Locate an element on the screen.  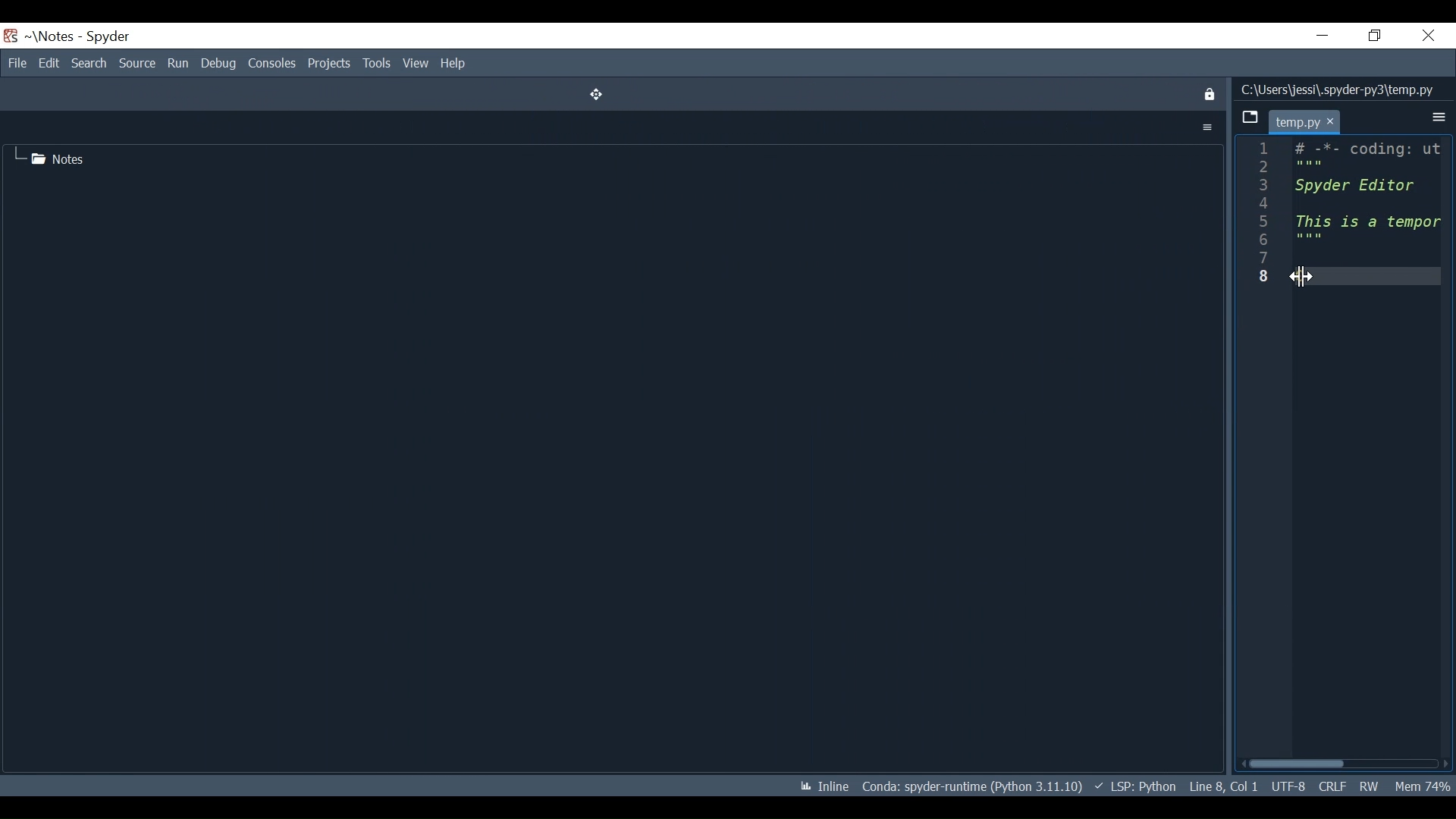
Horizontal scroll bar is located at coordinates (1296, 765).